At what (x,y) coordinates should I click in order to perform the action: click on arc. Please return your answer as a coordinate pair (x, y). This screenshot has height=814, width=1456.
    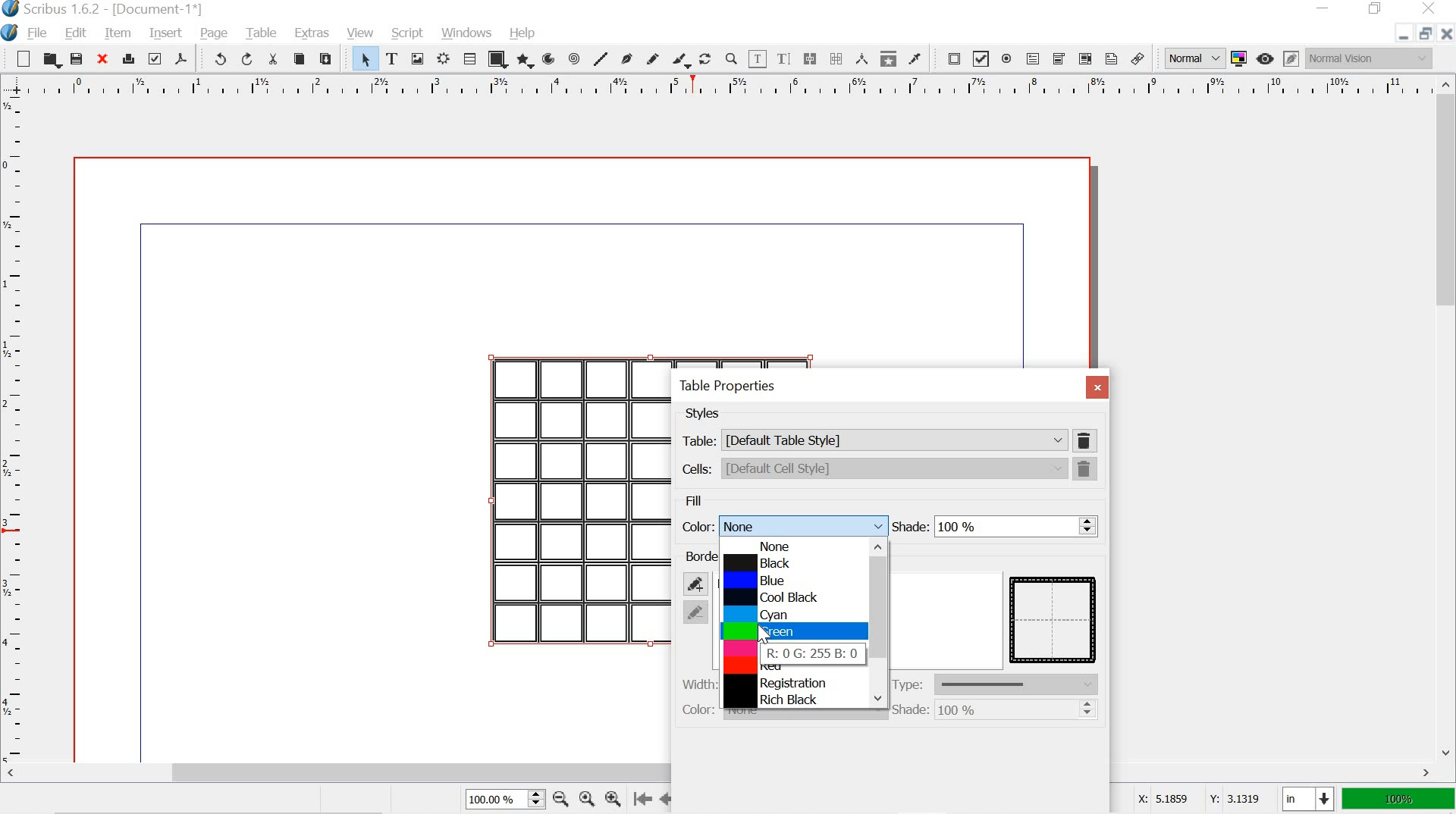
    Looking at the image, I should click on (547, 58).